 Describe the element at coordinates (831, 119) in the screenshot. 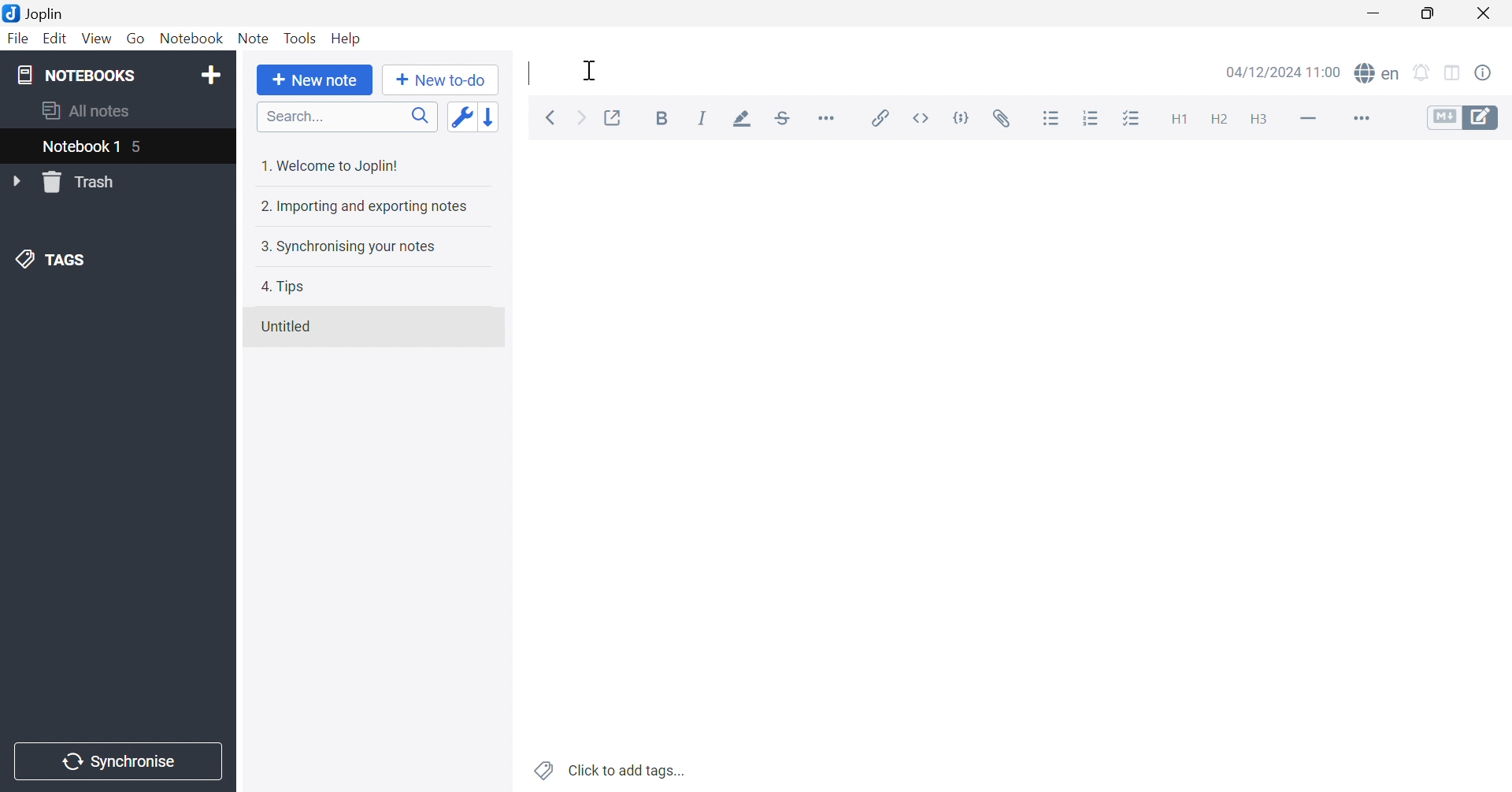

I see `Horizontal` at that location.